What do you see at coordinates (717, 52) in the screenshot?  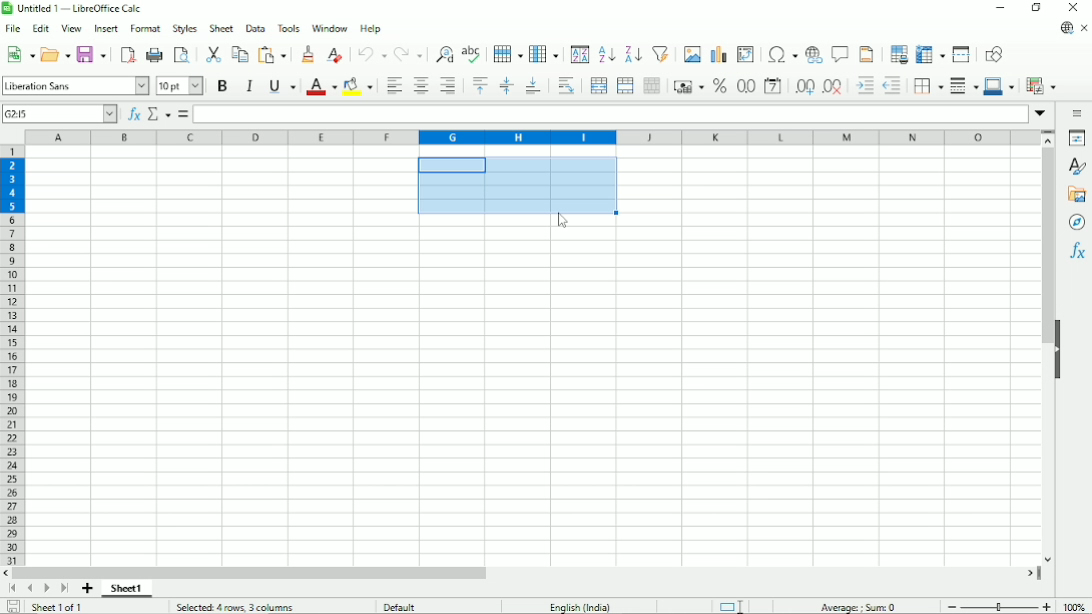 I see `Insert chart` at bounding box center [717, 52].